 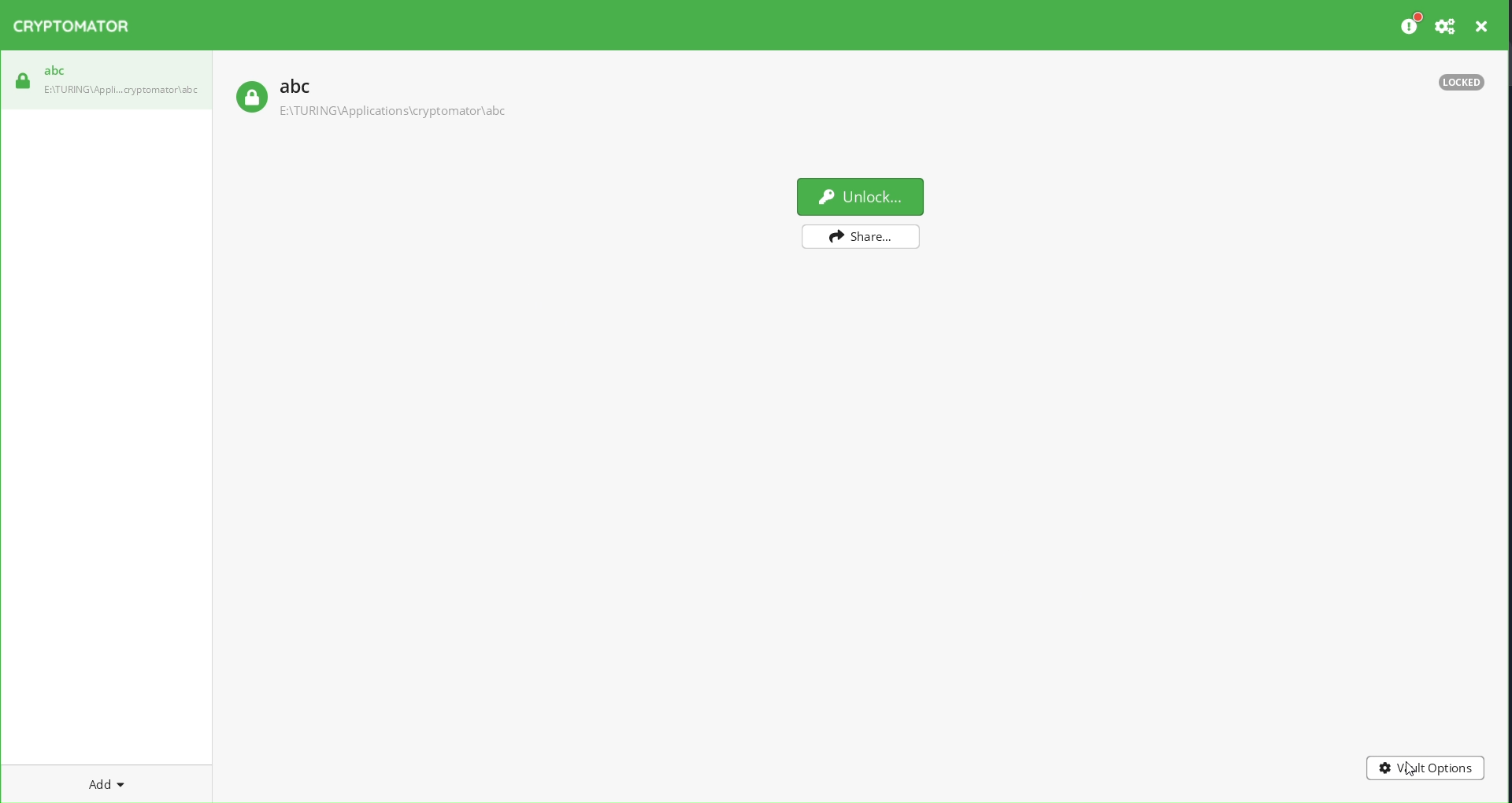 What do you see at coordinates (1443, 26) in the screenshot?
I see `setting` at bounding box center [1443, 26].